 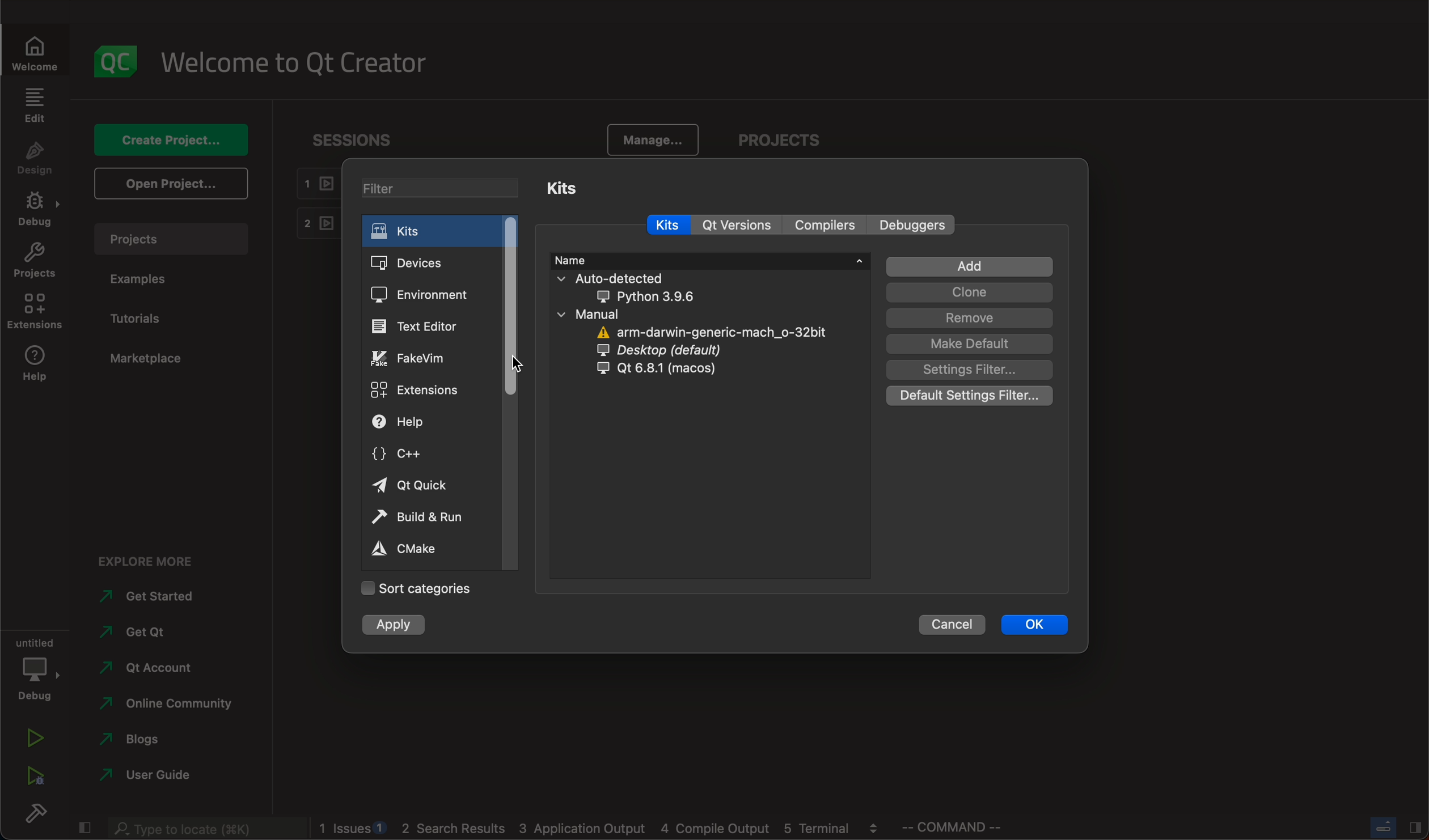 What do you see at coordinates (167, 142) in the screenshot?
I see `create` at bounding box center [167, 142].